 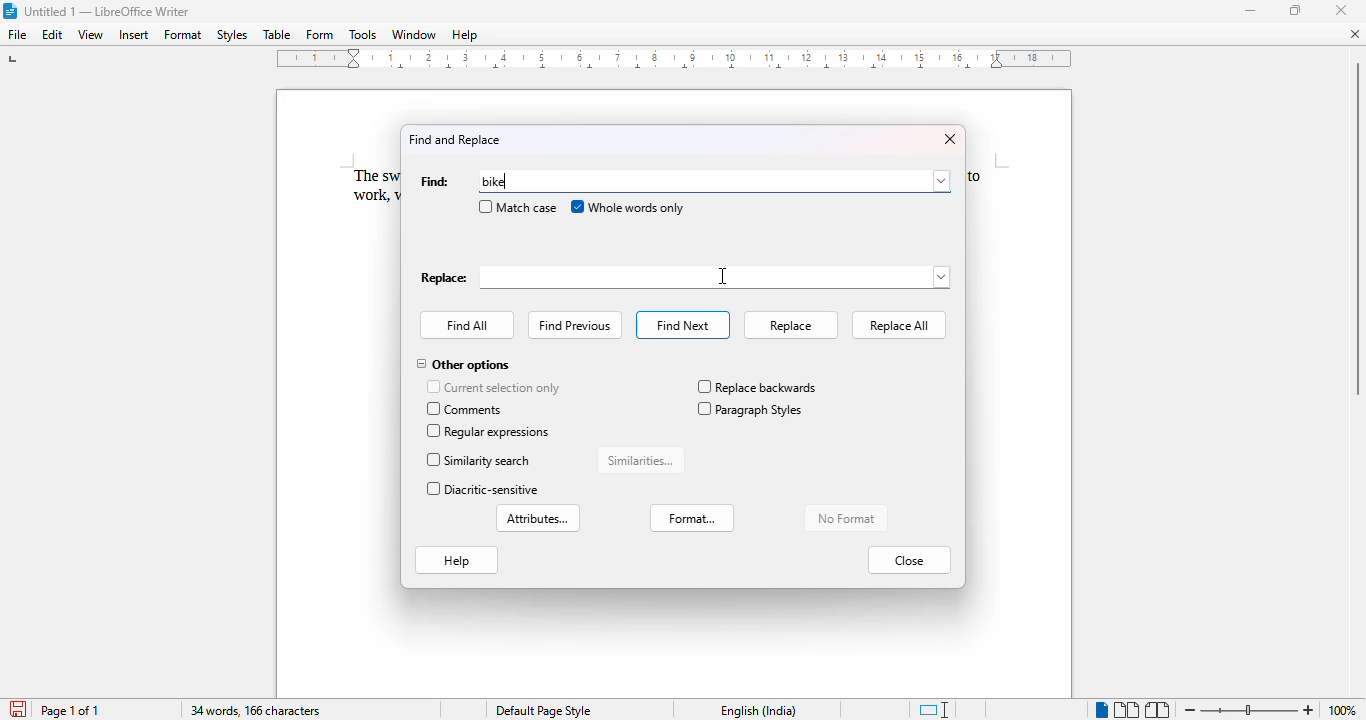 I want to click on insert, so click(x=133, y=35).